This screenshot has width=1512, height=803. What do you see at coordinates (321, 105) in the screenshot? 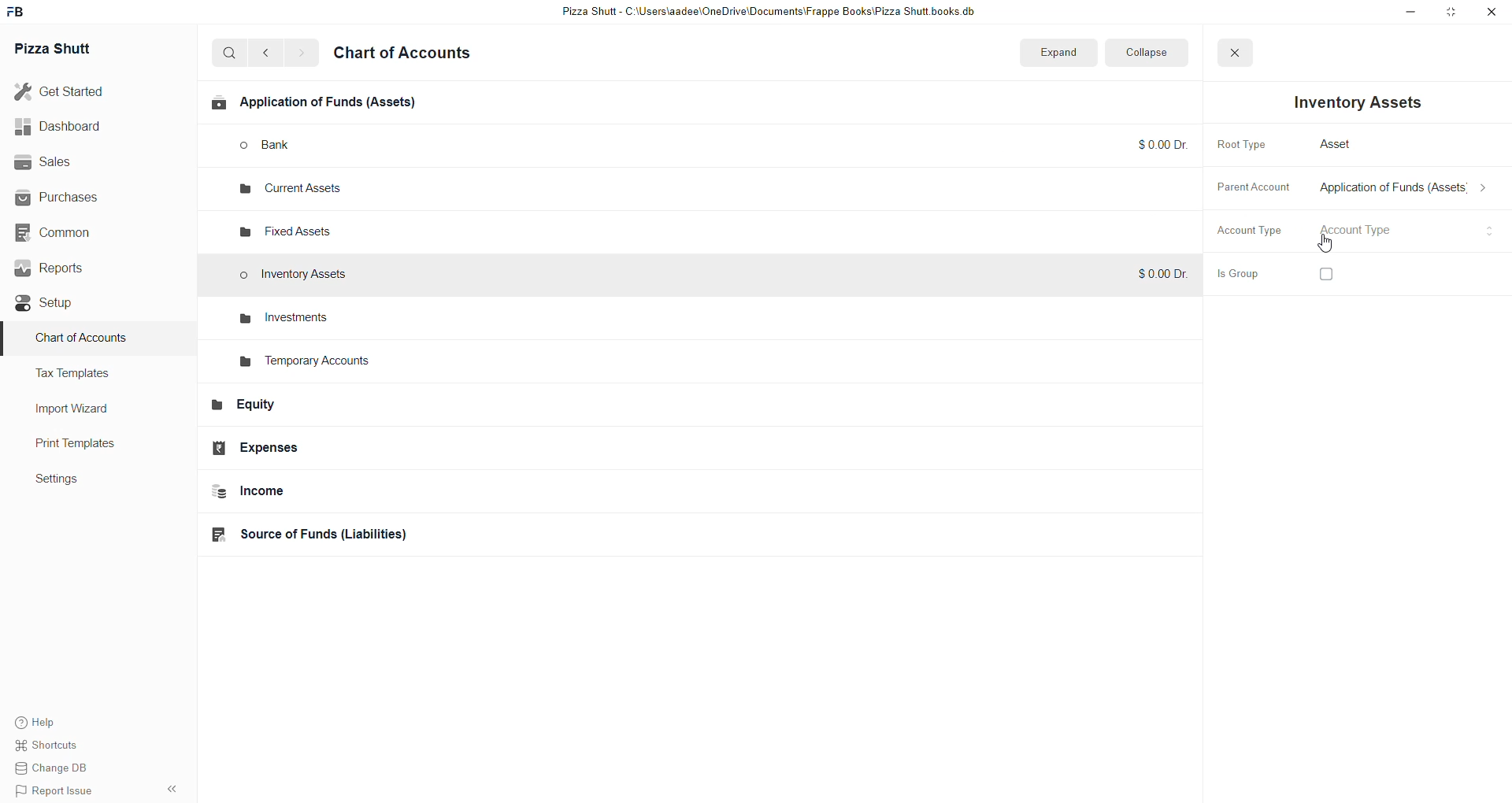
I see `Applications of funds(Assets)` at bounding box center [321, 105].